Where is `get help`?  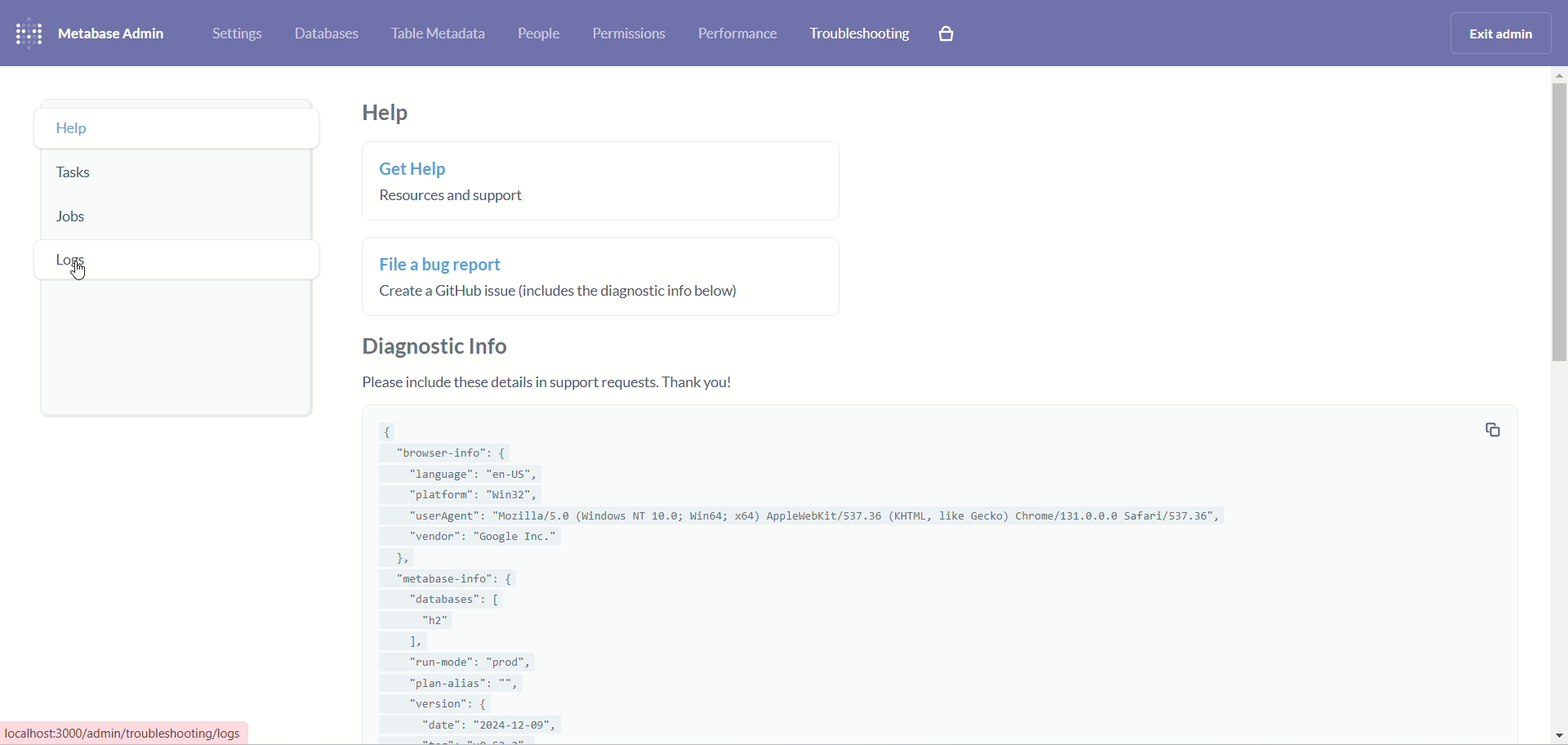 get help is located at coordinates (449, 185).